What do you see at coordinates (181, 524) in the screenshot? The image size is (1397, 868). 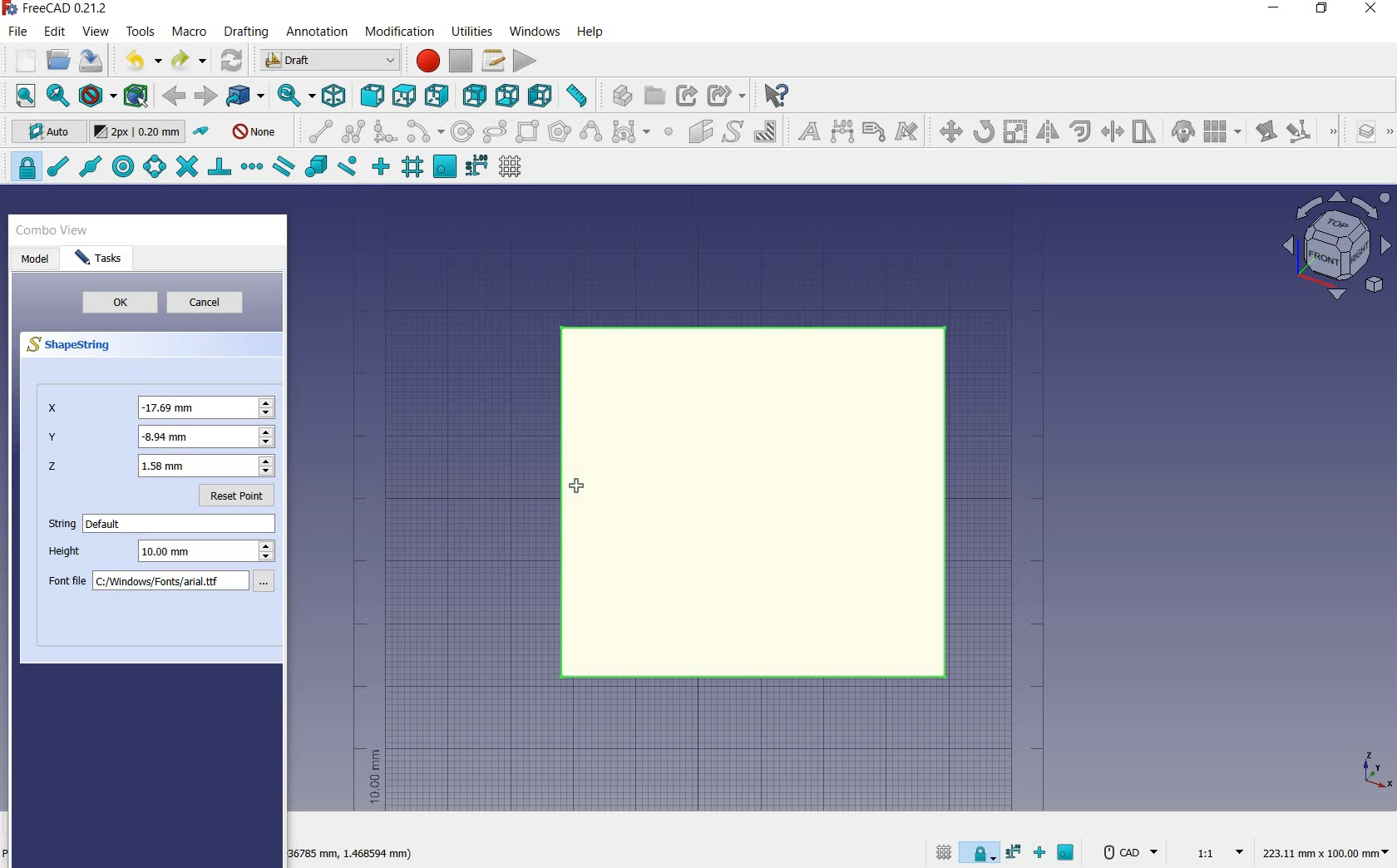 I see `Text` at bounding box center [181, 524].